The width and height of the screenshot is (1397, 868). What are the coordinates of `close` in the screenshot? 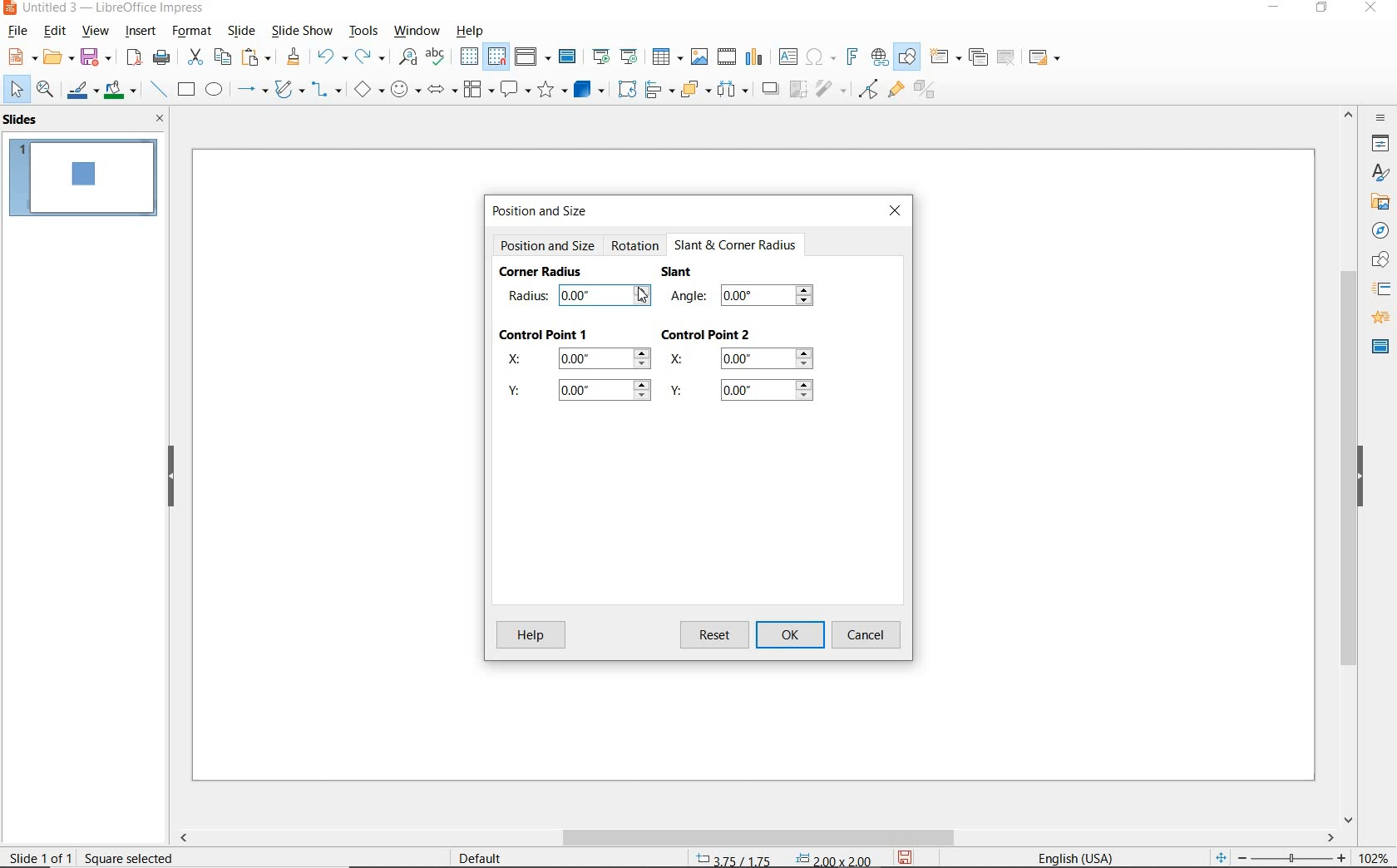 It's located at (160, 118).